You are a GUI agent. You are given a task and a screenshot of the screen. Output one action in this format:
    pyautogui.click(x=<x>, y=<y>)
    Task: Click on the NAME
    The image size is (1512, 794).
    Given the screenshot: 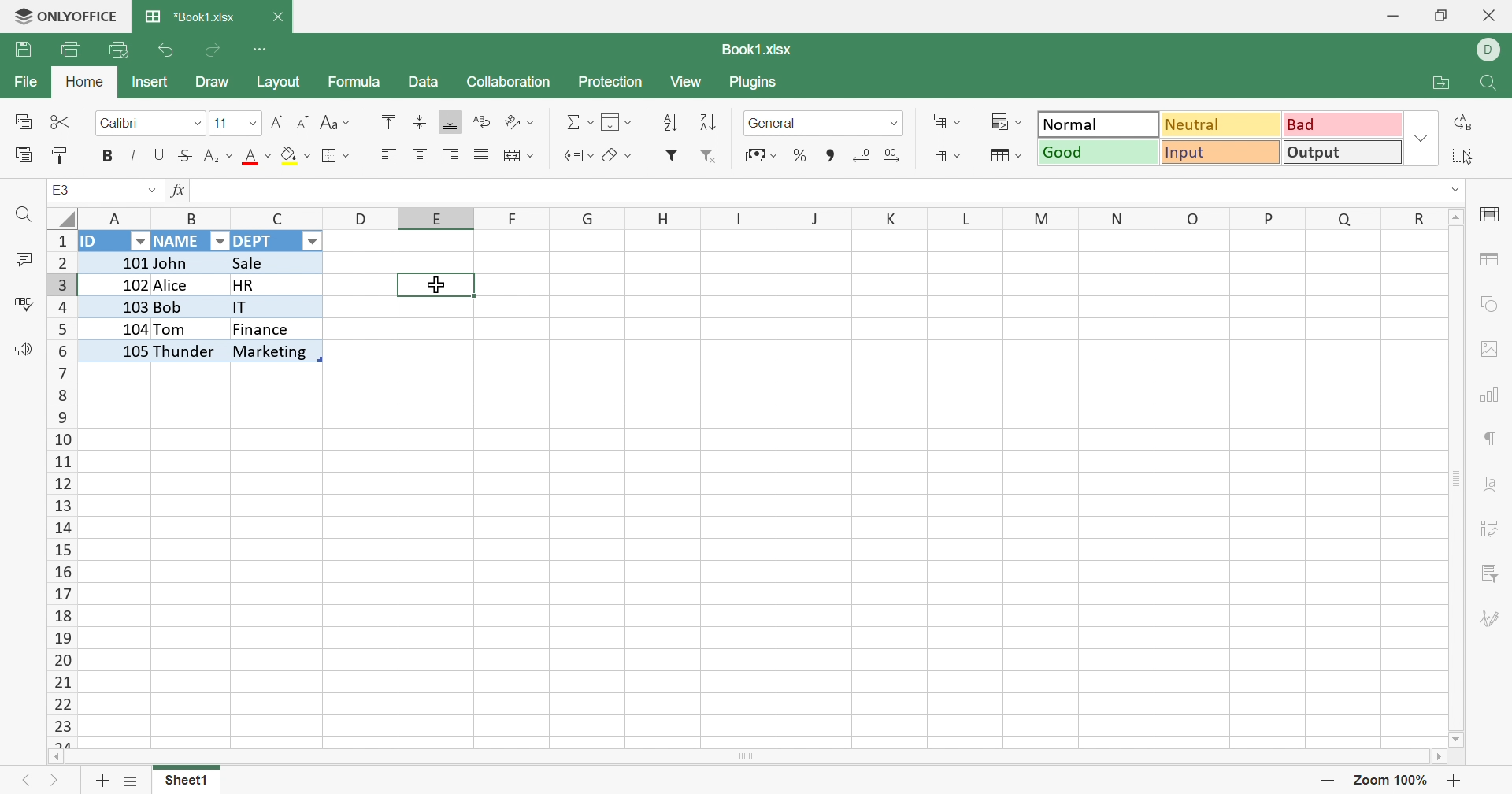 What is the action you would take?
    pyautogui.click(x=179, y=243)
    